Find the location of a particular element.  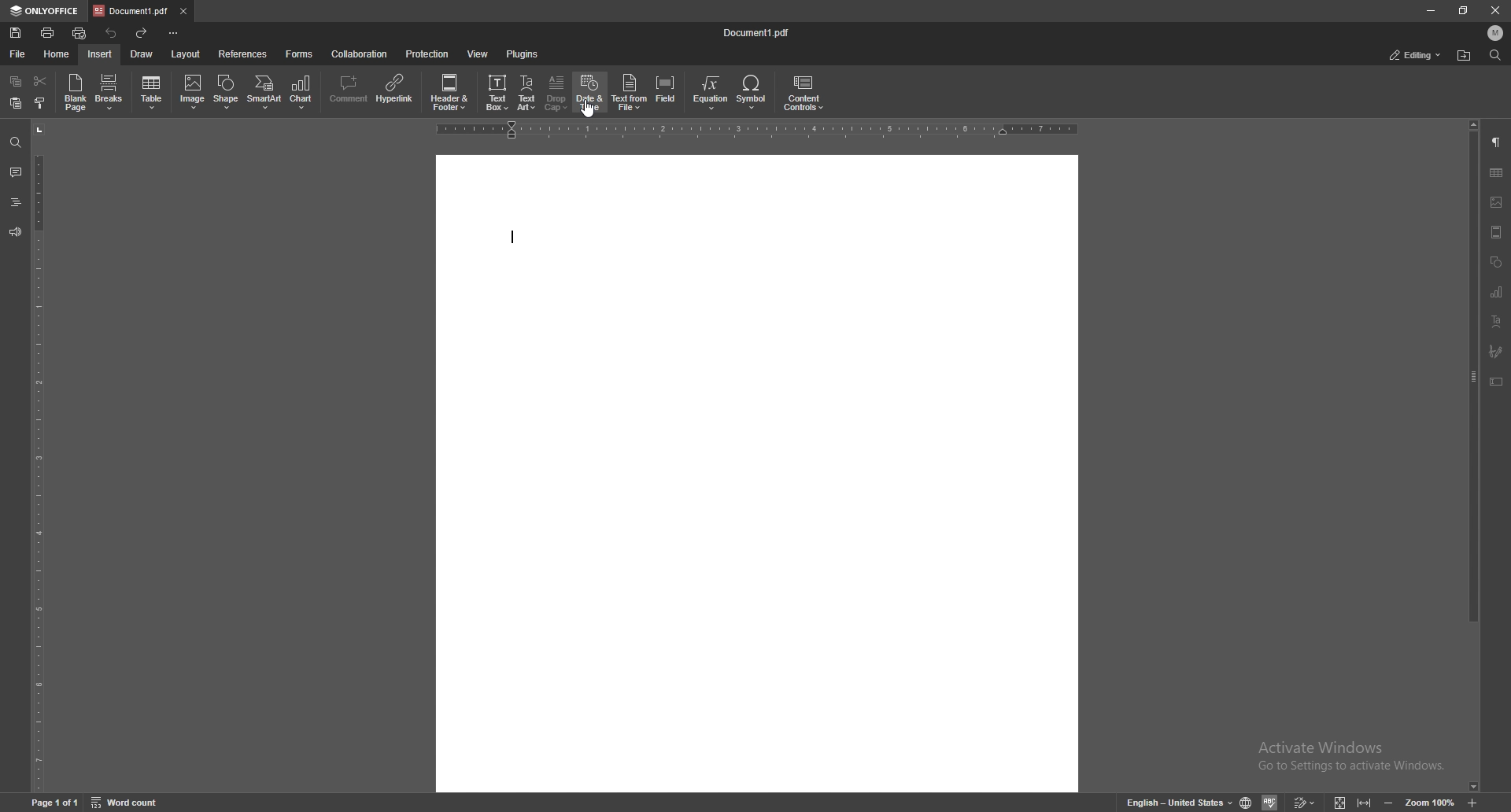

document  is located at coordinates (760, 474).